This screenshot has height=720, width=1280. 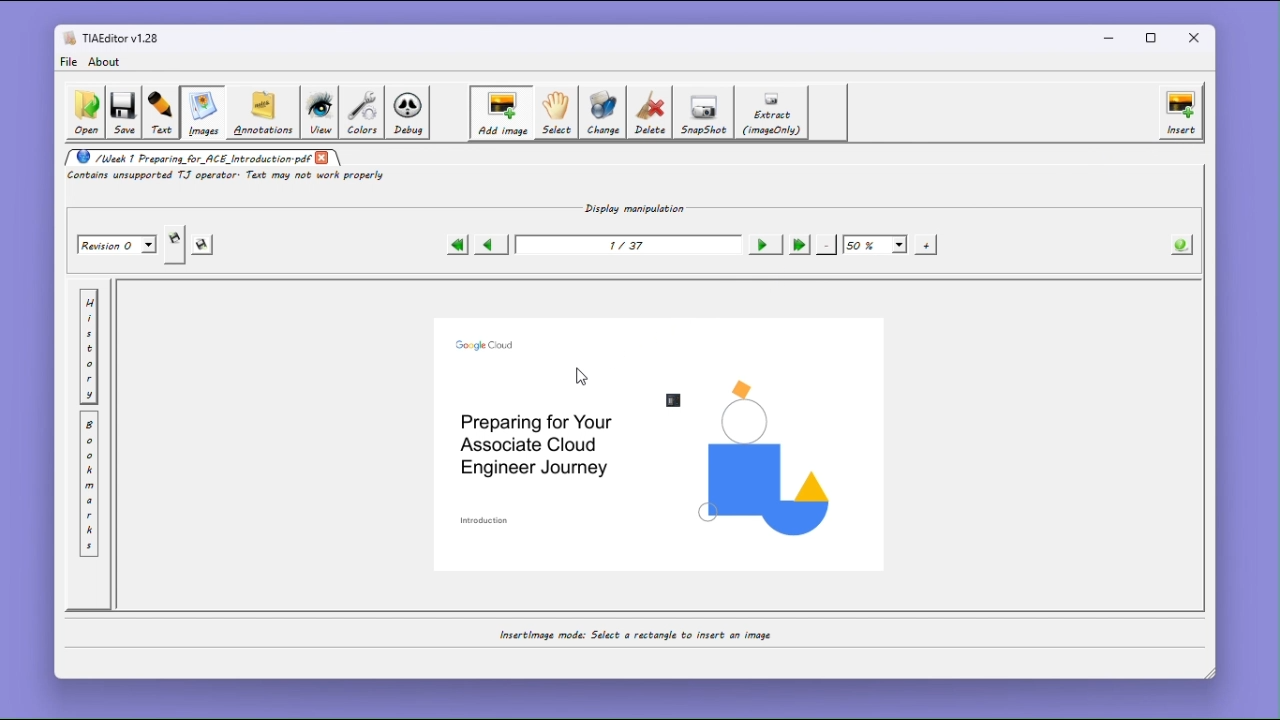 I want to click on Visual element png image, so click(x=763, y=458).